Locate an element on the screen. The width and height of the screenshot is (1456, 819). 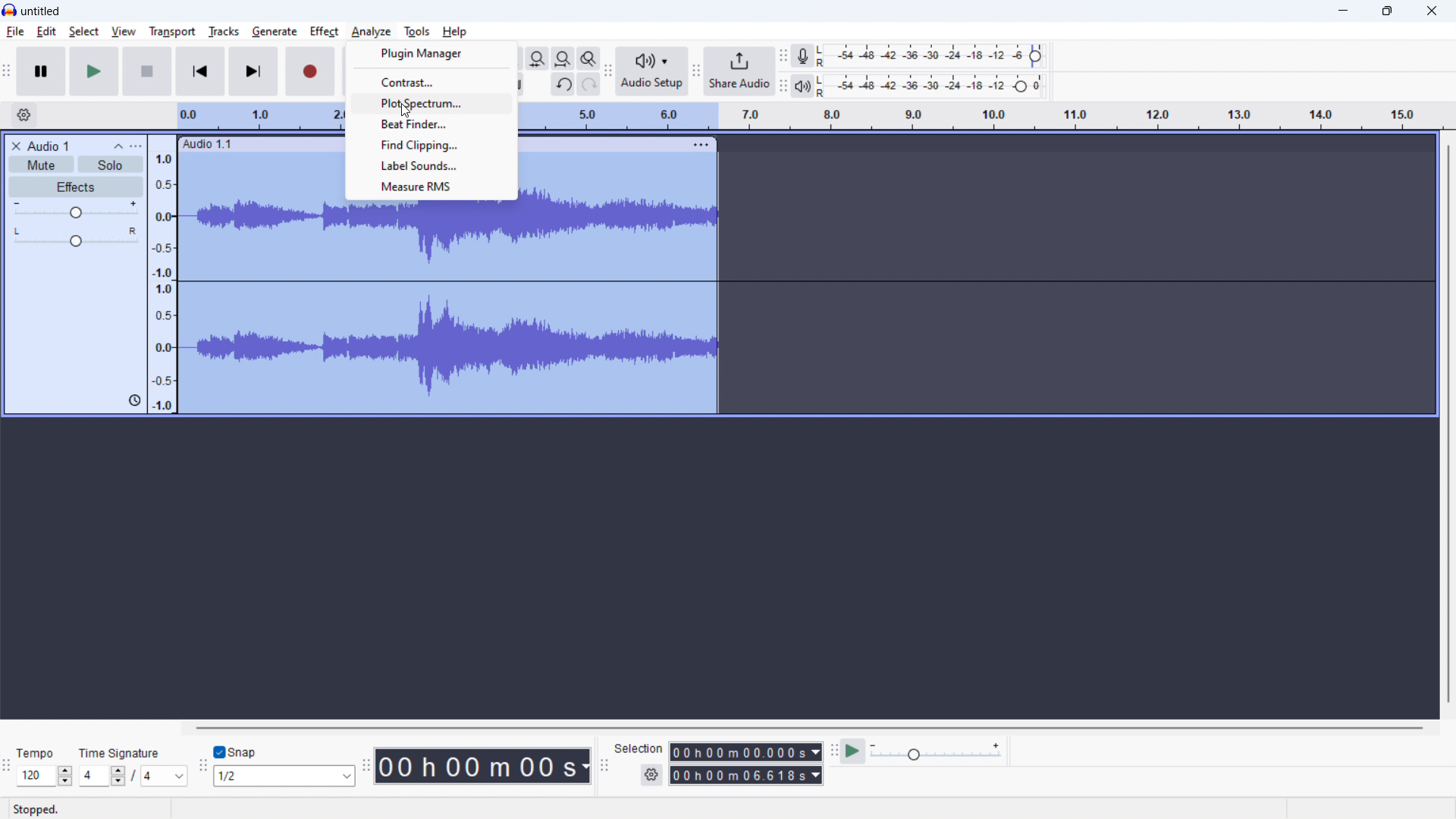
minimize is located at coordinates (1342, 11).